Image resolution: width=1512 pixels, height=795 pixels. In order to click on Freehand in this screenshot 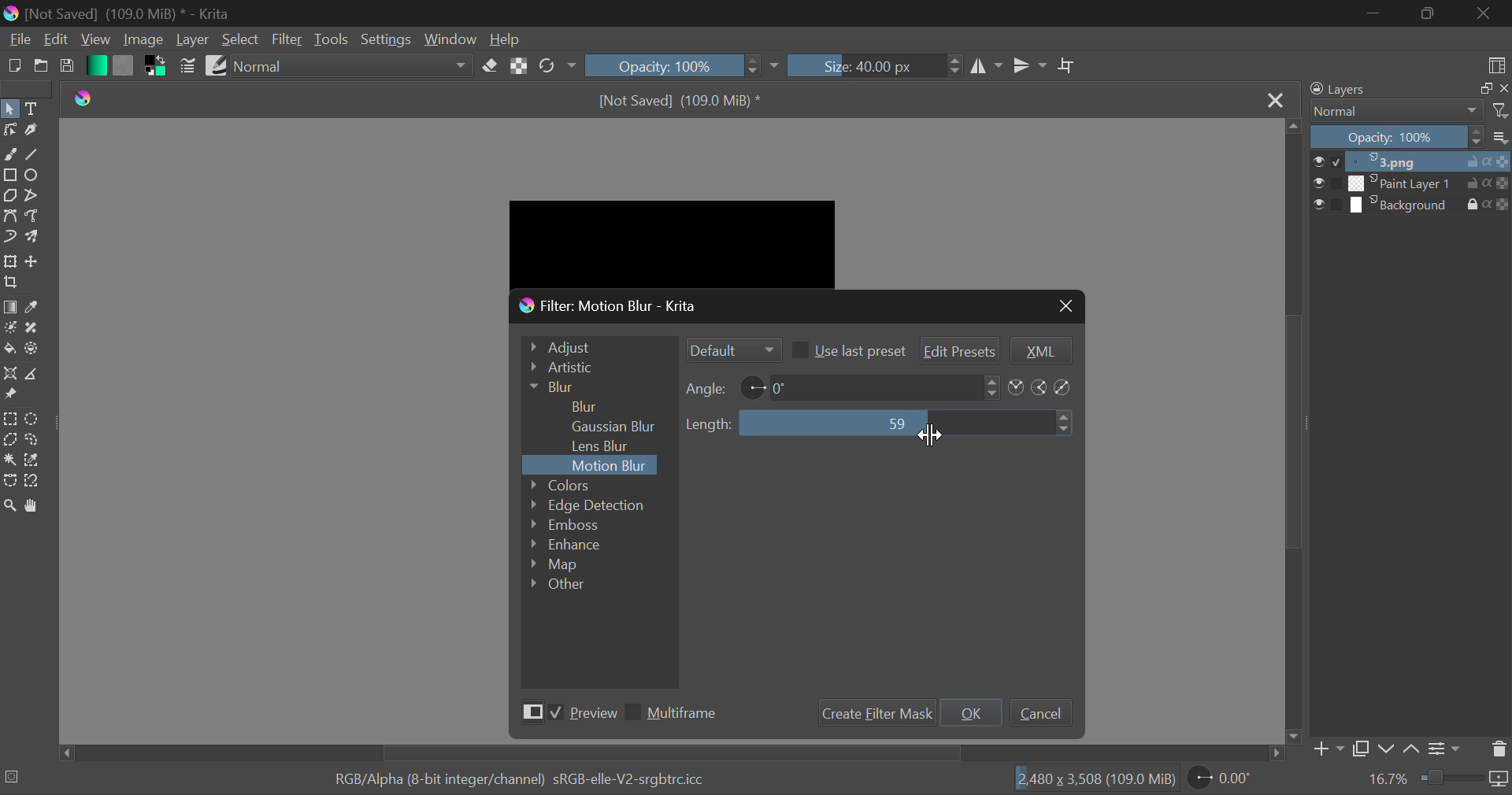, I will do `click(10, 154)`.